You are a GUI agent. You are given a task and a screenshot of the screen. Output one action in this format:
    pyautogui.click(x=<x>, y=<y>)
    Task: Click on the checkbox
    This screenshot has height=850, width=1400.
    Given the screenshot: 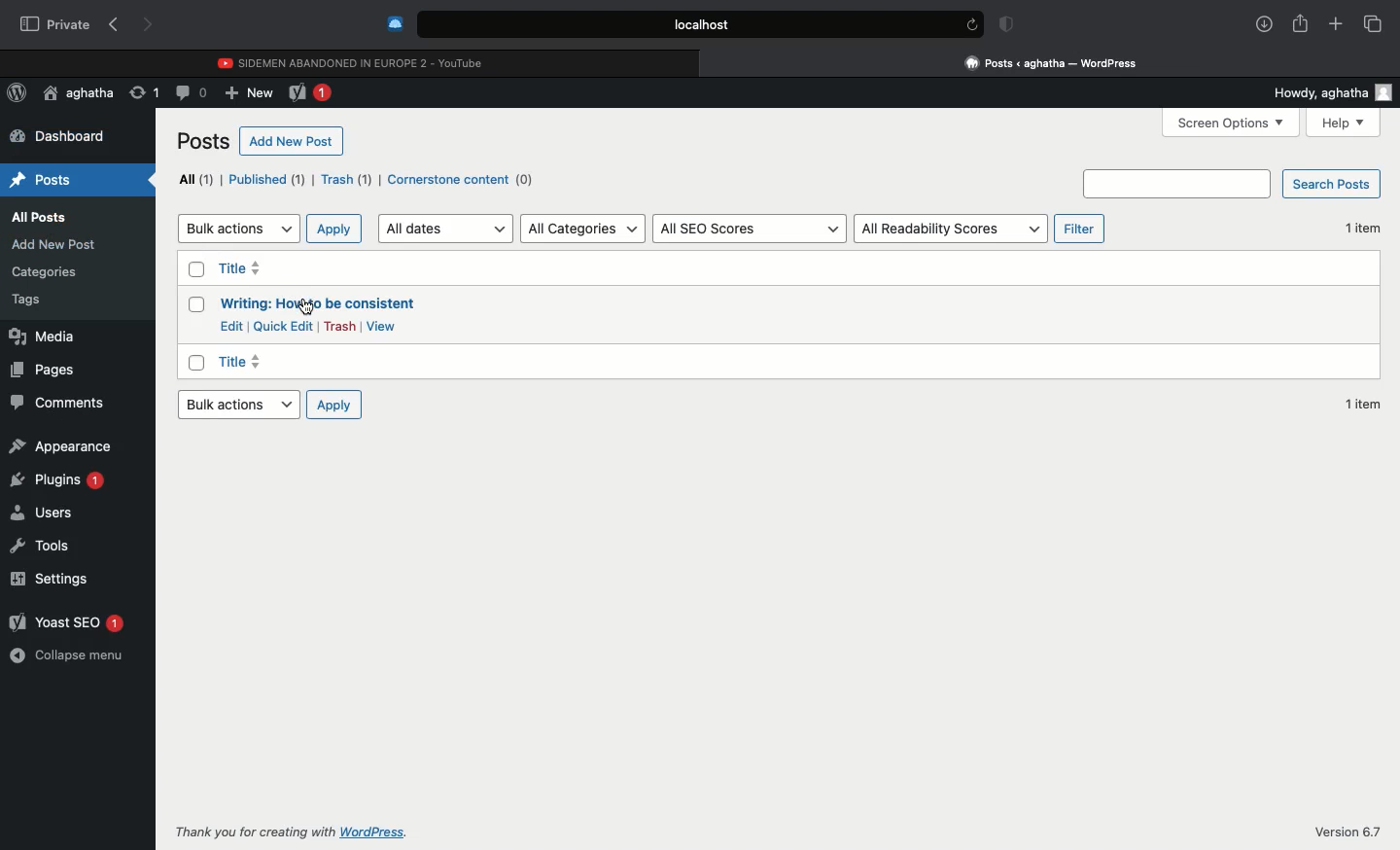 What is the action you would take?
    pyautogui.click(x=195, y=365)
    